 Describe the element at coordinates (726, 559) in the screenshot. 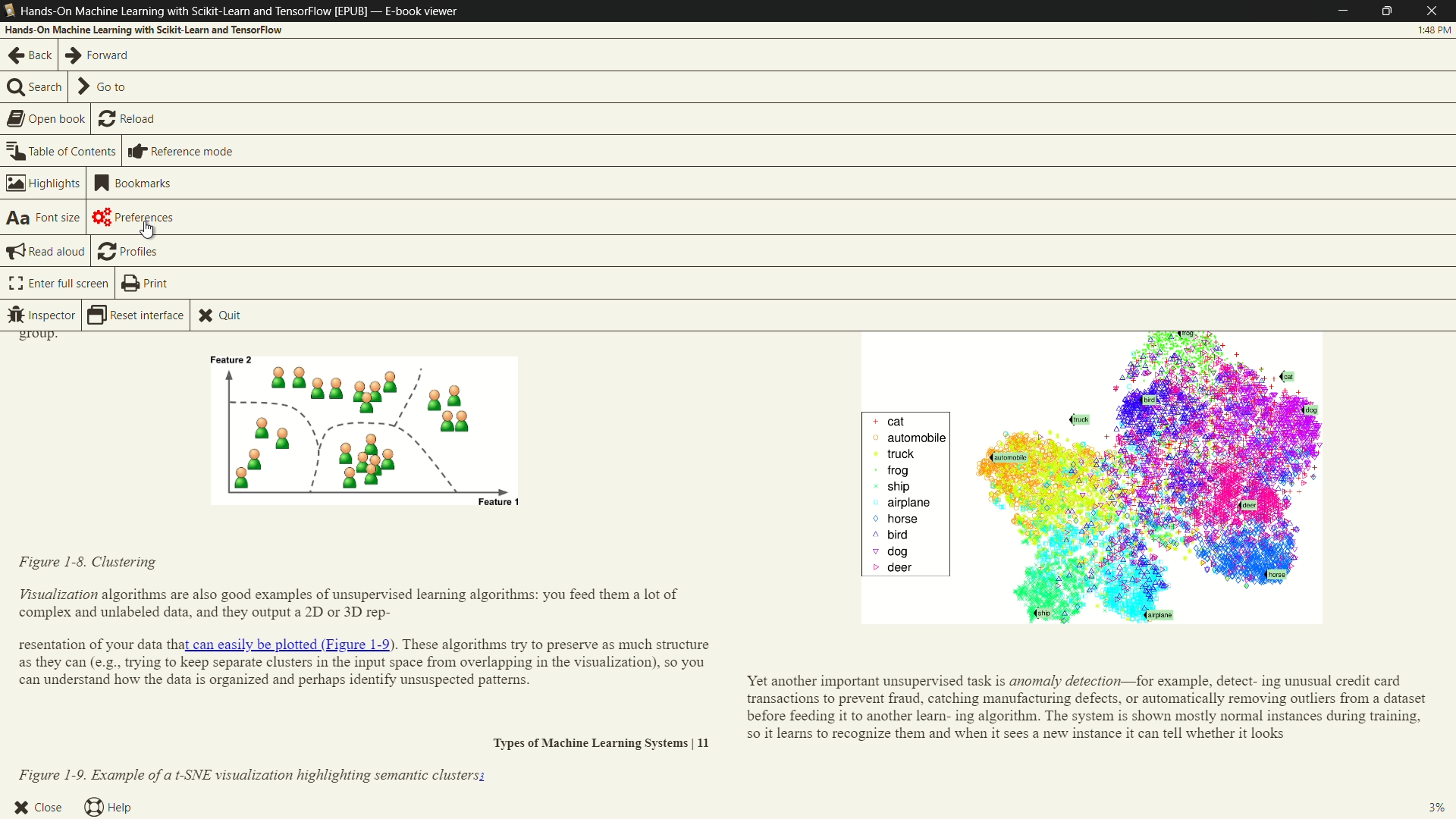

I see `book's content` at that location.